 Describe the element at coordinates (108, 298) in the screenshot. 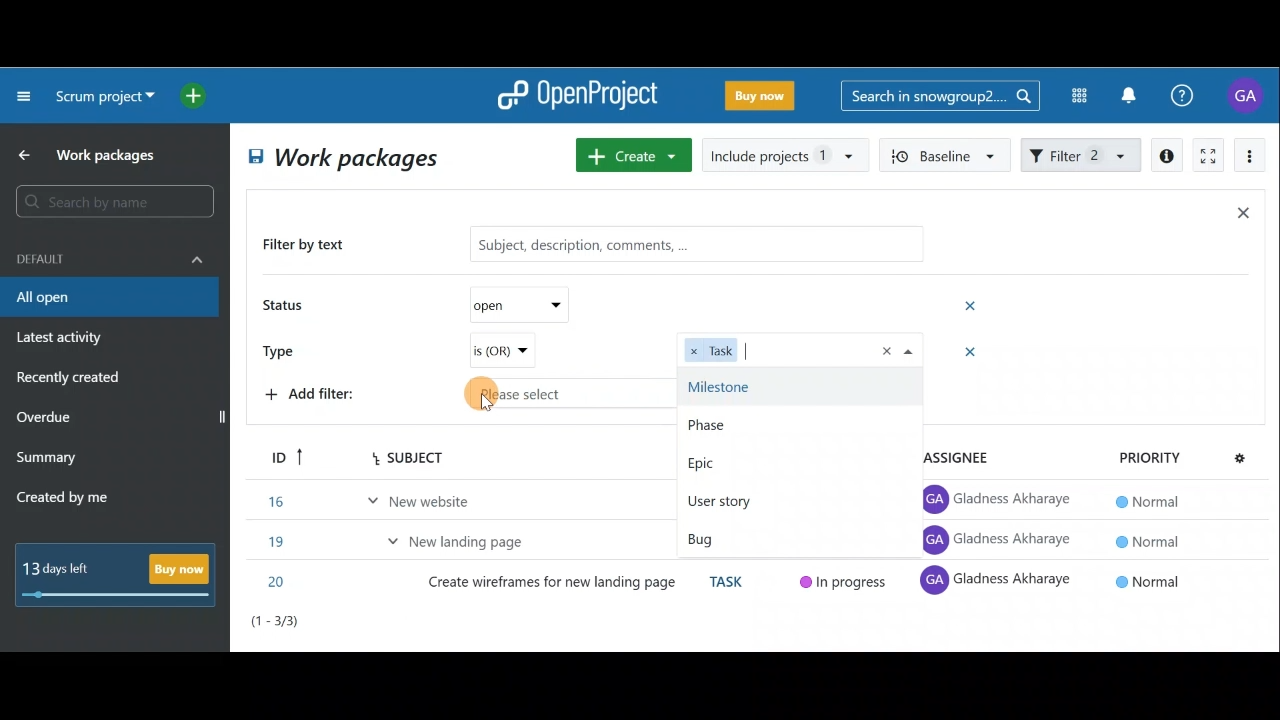

I see `All open` at that location.